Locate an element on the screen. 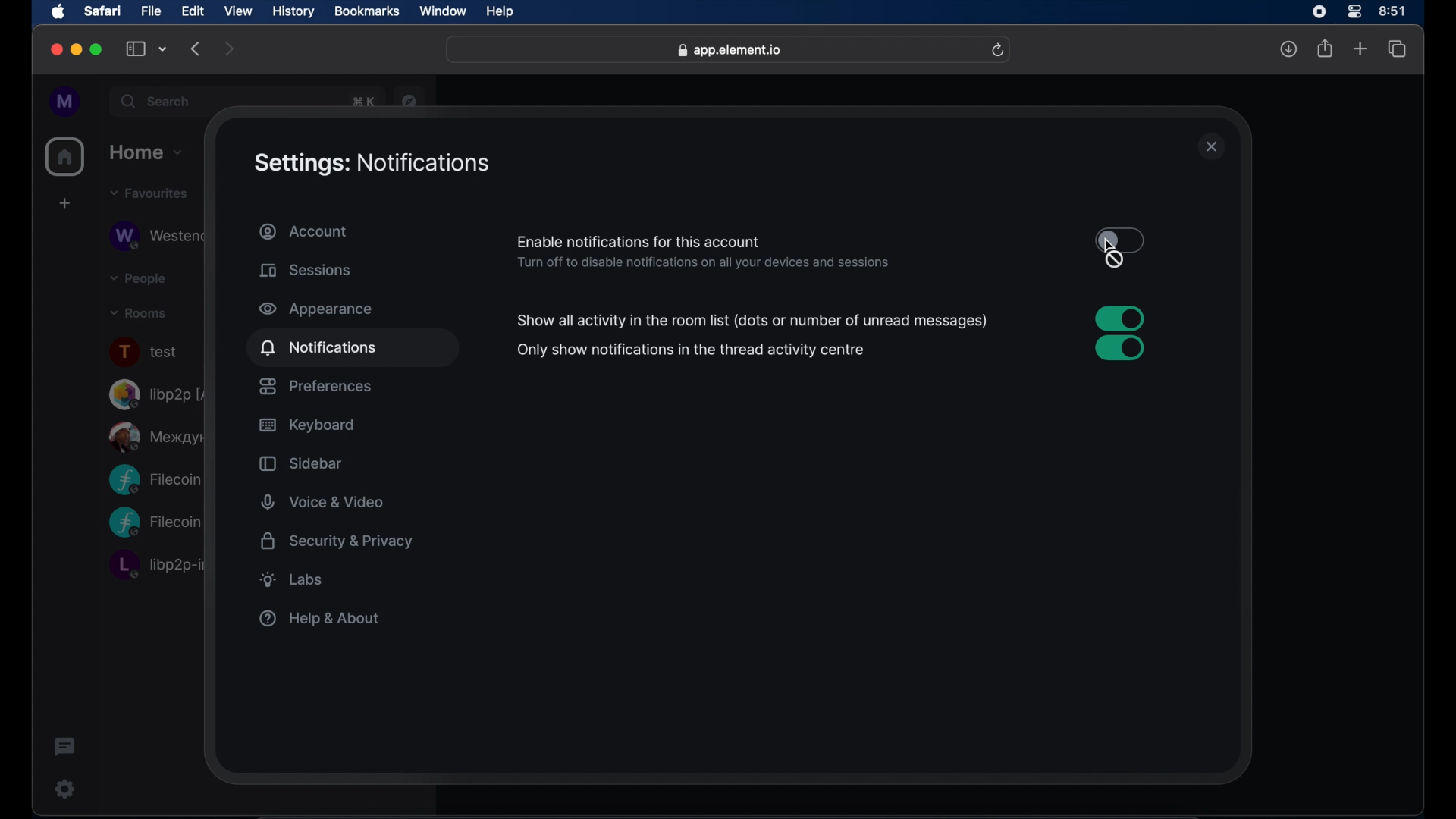 This screenshot has height=819, width=1456. Filecoin is located at coordinates (155, 480).